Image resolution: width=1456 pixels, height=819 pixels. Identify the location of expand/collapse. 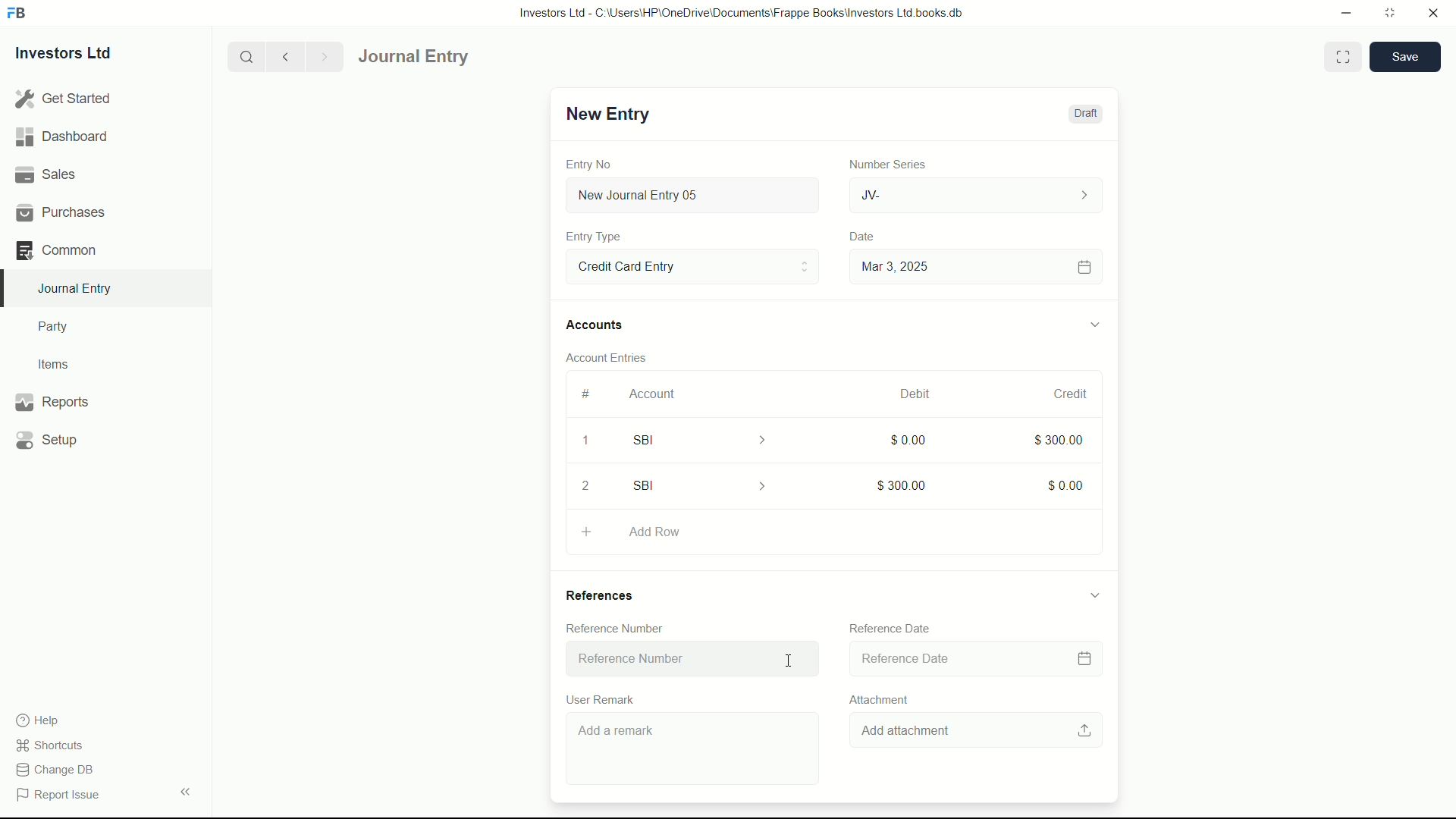
(185, 790).